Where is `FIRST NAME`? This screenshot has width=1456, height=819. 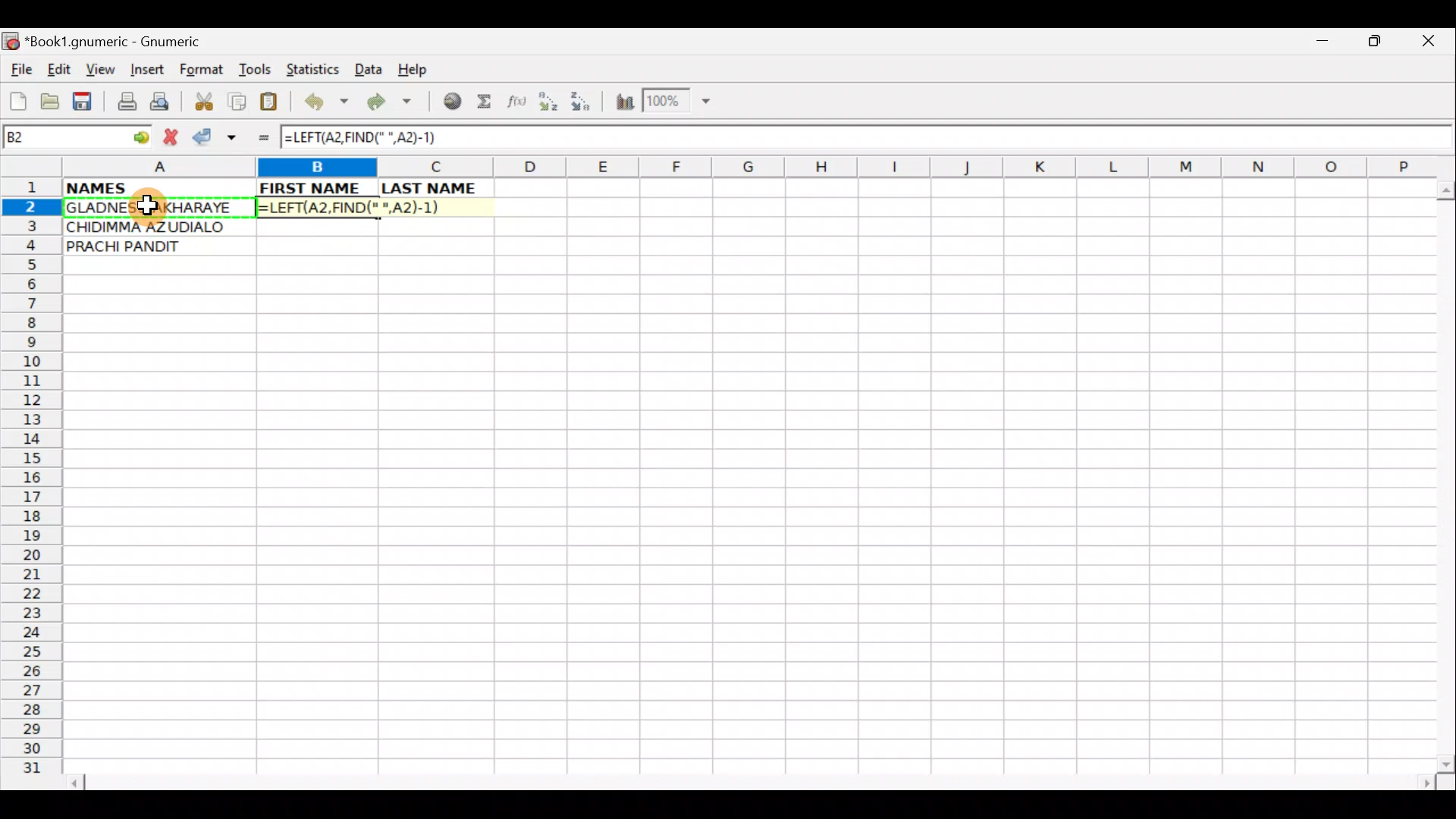
FIRST NAME is located at coordinates (317, 188).